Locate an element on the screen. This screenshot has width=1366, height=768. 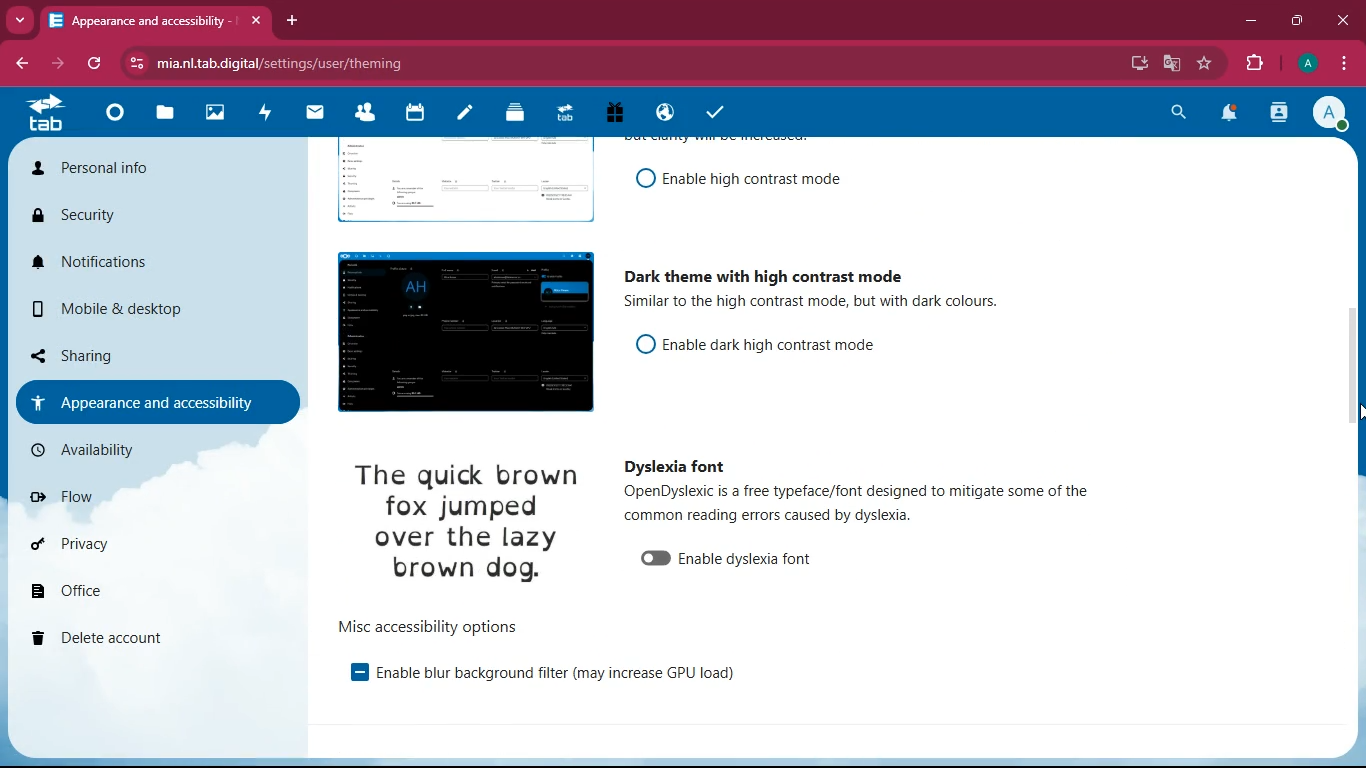
personal info is located at coordinates (137, 170).